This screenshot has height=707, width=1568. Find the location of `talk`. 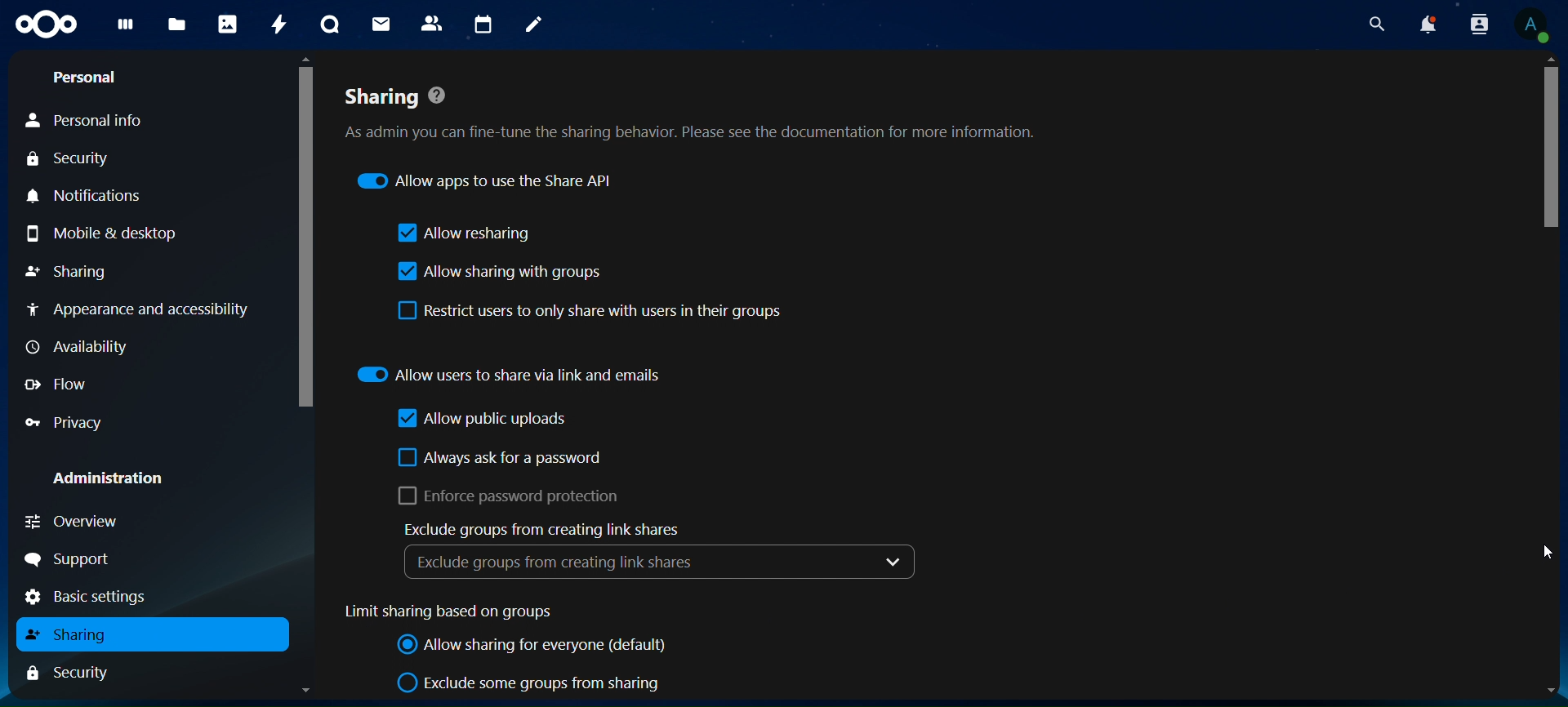

talk is located at coordinates (329, 24).